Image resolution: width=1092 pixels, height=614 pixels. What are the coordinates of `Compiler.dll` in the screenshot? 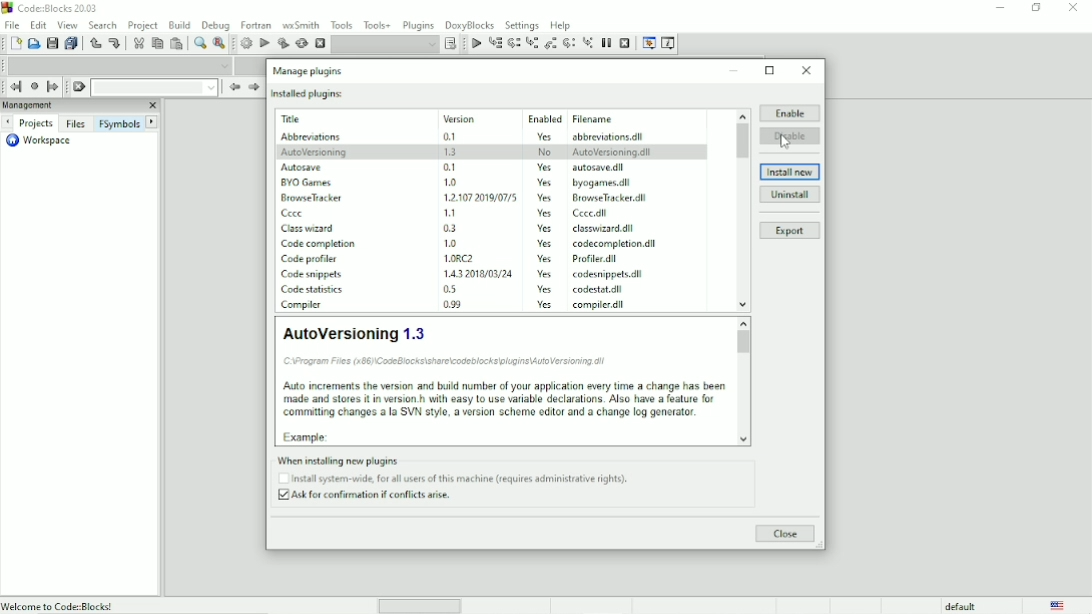 It's located at (602, 305).